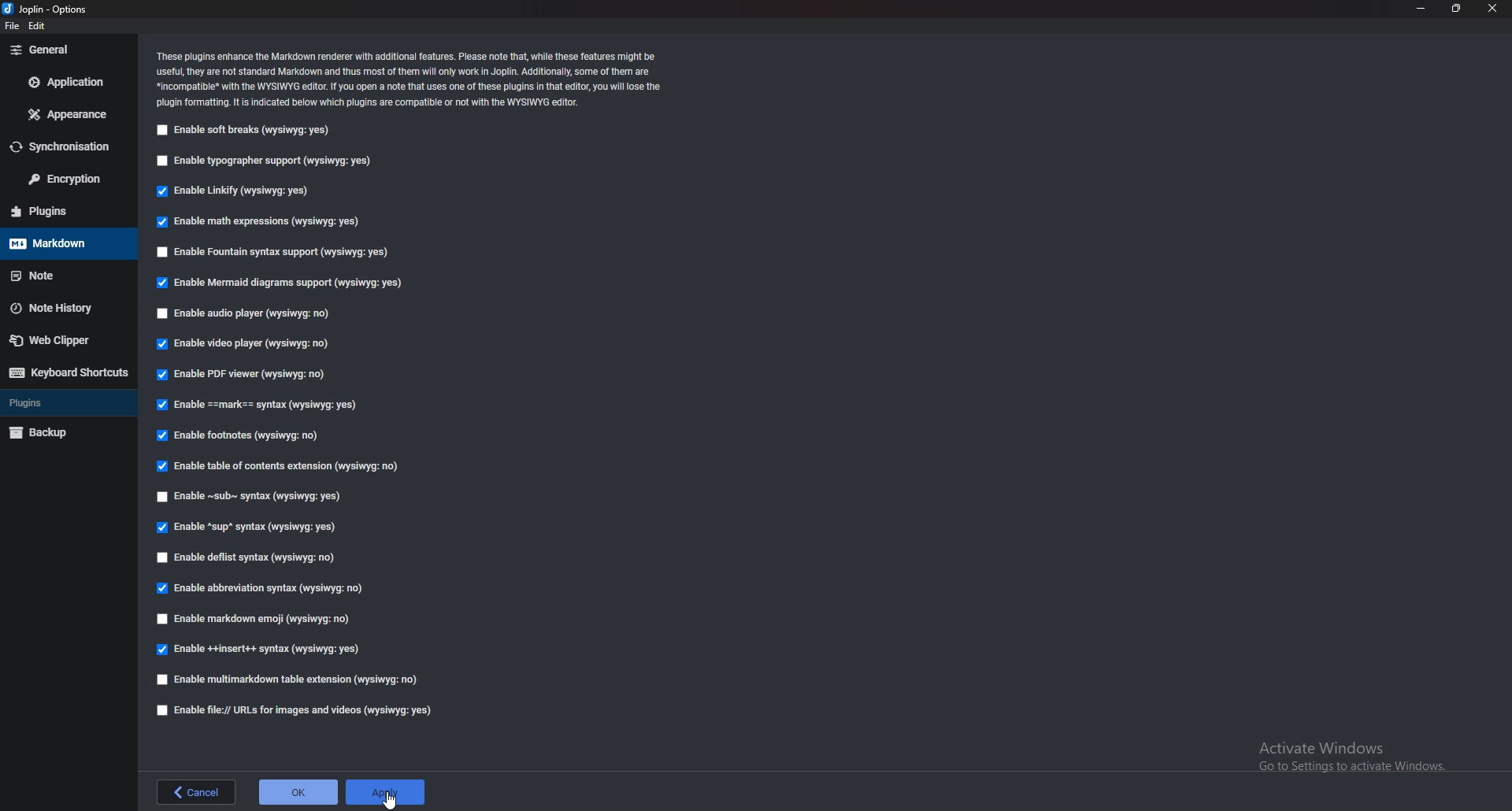 The height and width of the screenshot is (811, 1512). I want to click on Plugins, so click(62, 211).